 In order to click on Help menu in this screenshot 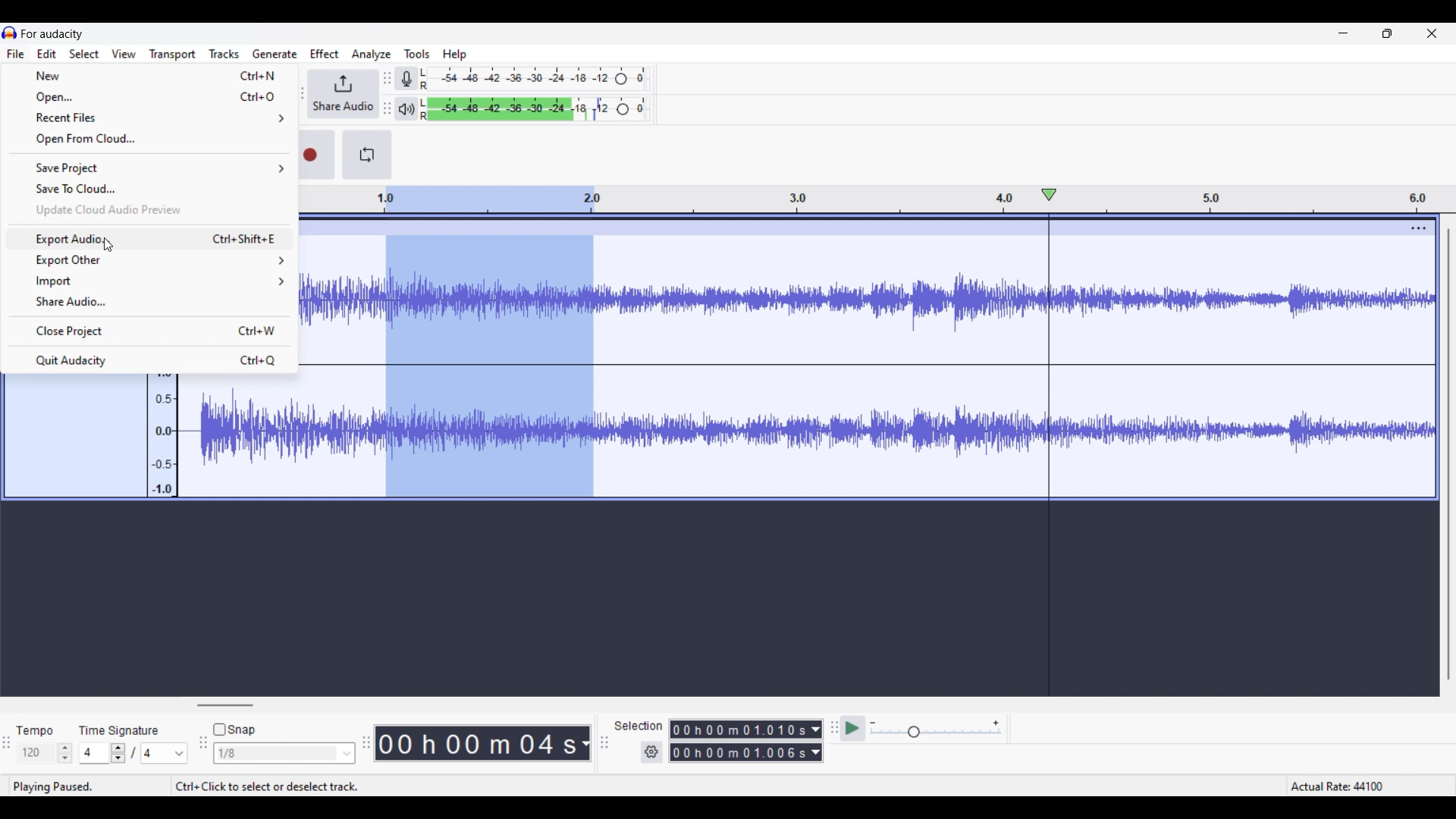, I will do `click(454, 55)`.